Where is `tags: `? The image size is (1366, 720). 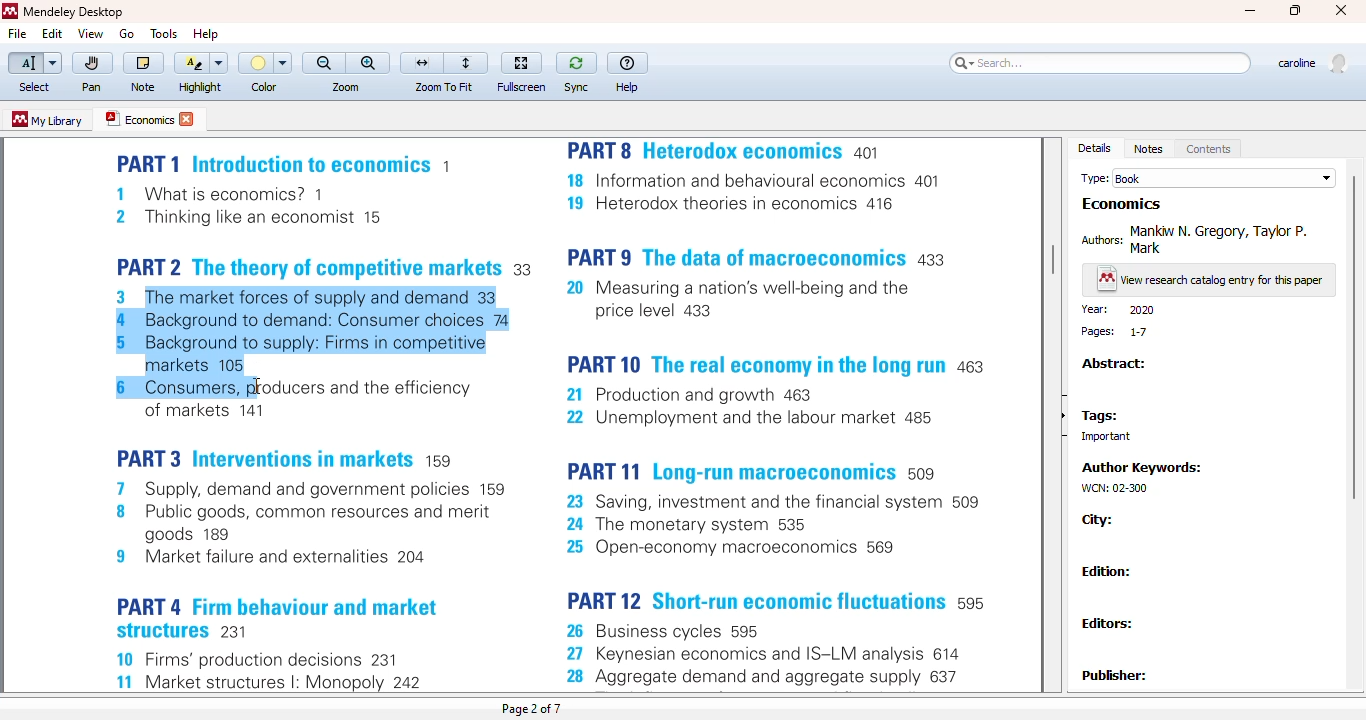
tags:  is located at coordinates (1099, 417).